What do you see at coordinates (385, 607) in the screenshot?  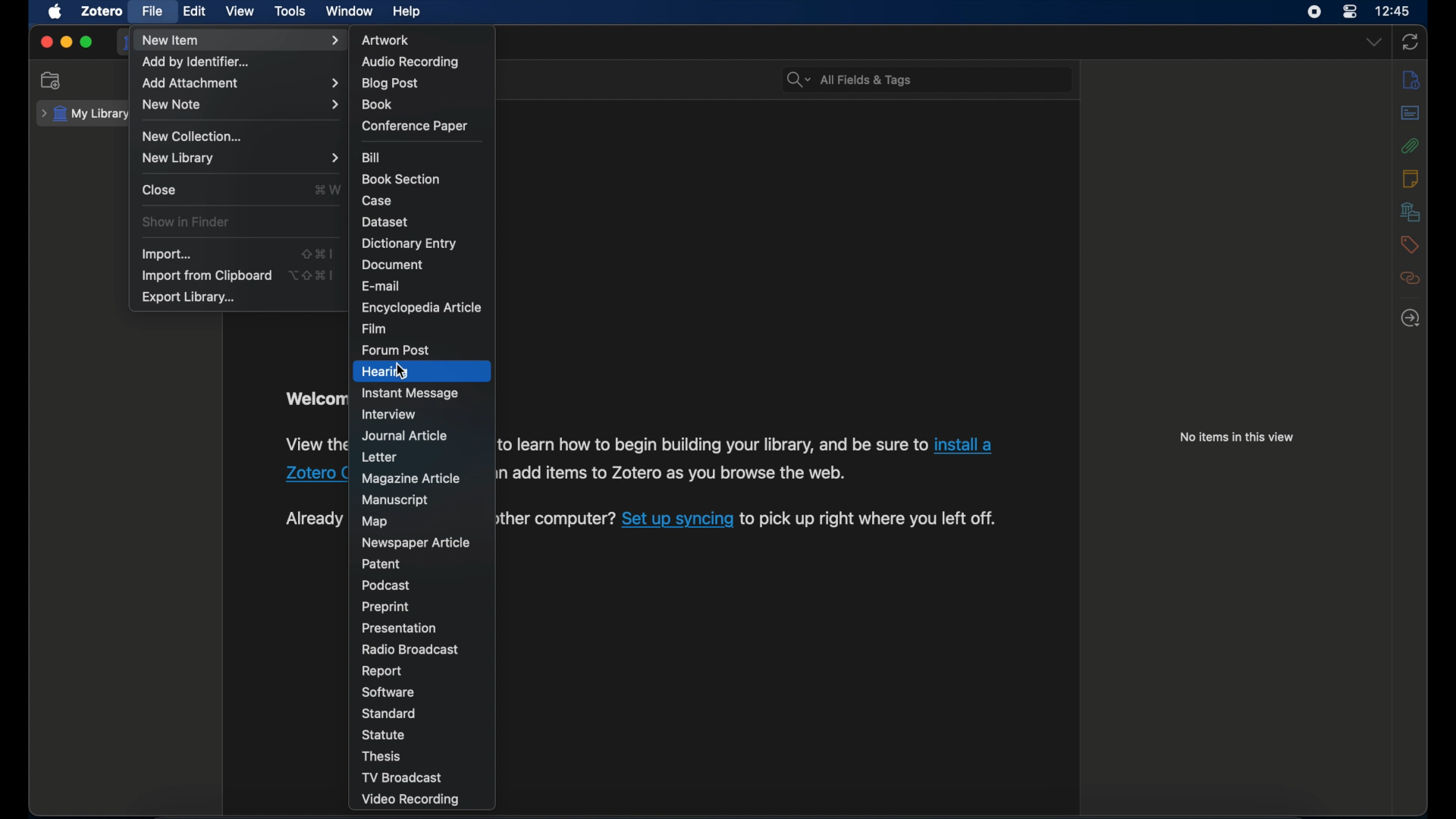 I see `preprint` at bounding box center [385, 607].